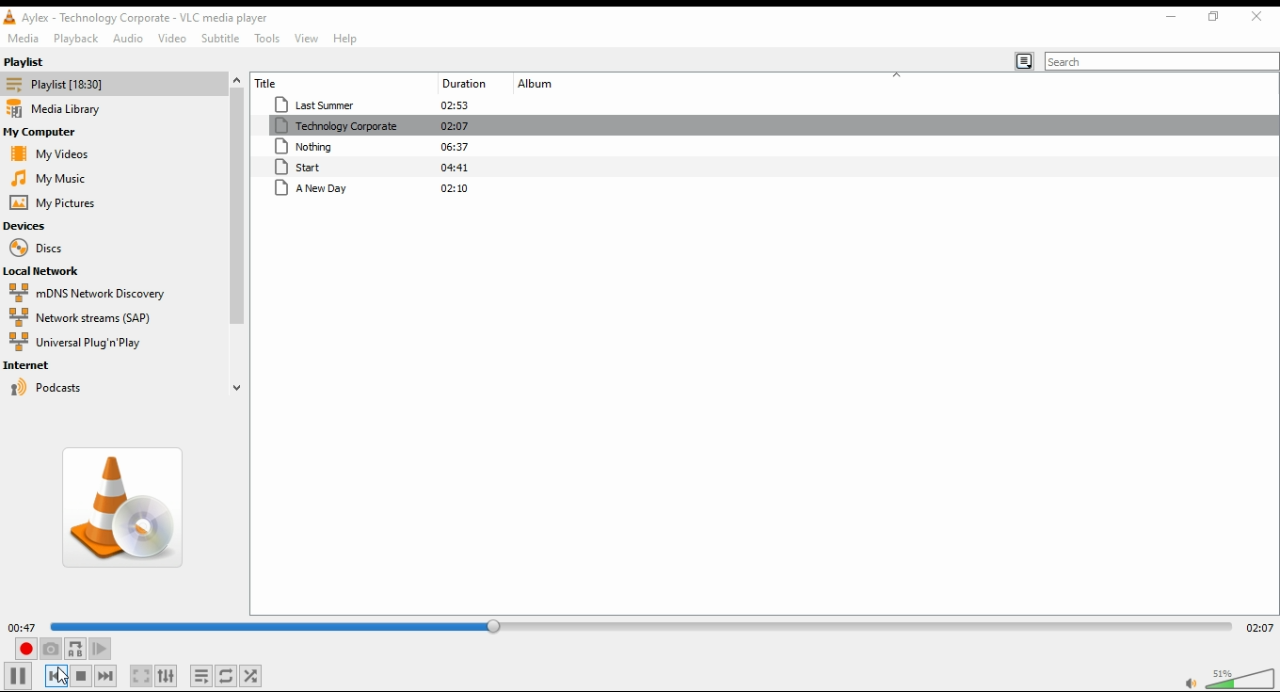  What do you see at coordinates (81, 676) in the screenshot?
I see `stop` at bounding box center [81, 676].